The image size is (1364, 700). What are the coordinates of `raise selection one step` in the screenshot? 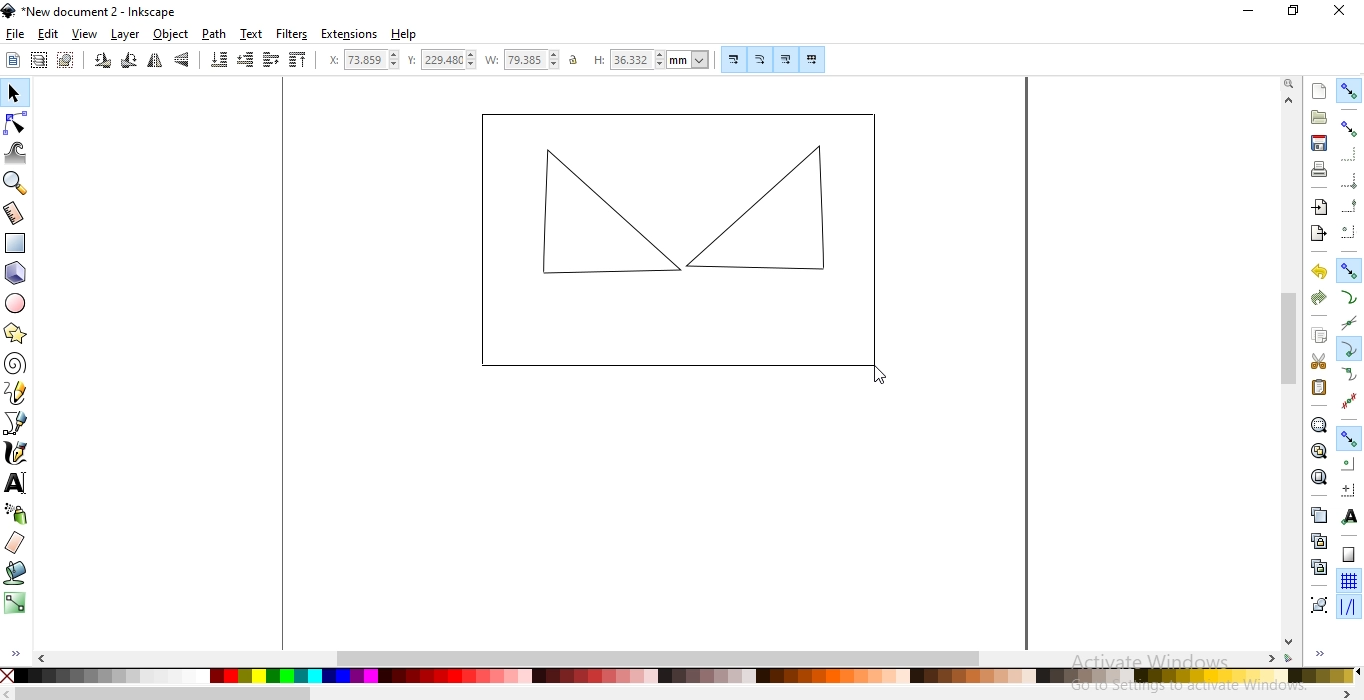 It's located at (271, 60).